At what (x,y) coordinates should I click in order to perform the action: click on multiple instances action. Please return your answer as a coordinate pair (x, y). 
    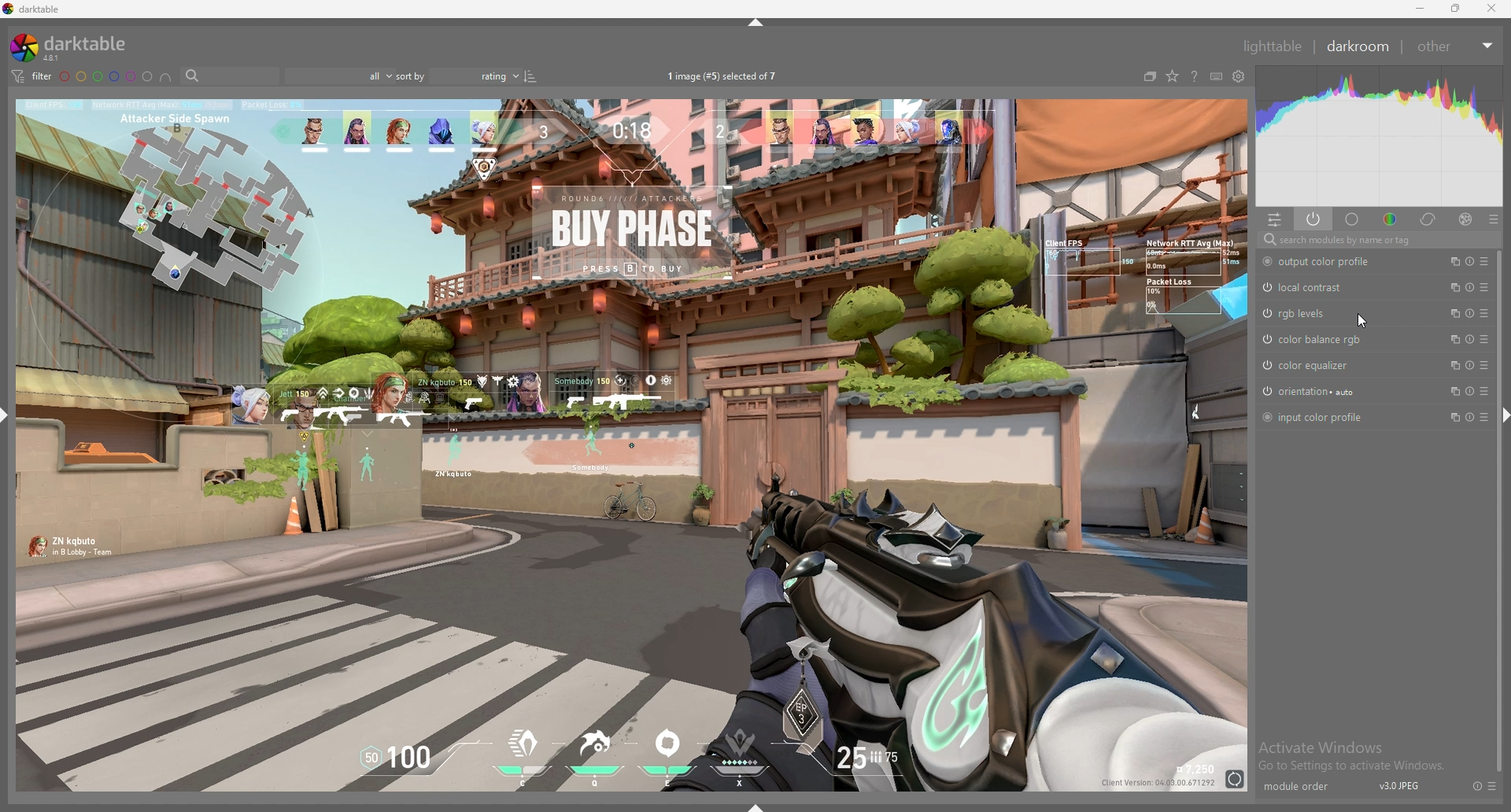
    Looking at the image, I should click on (1450, 390).